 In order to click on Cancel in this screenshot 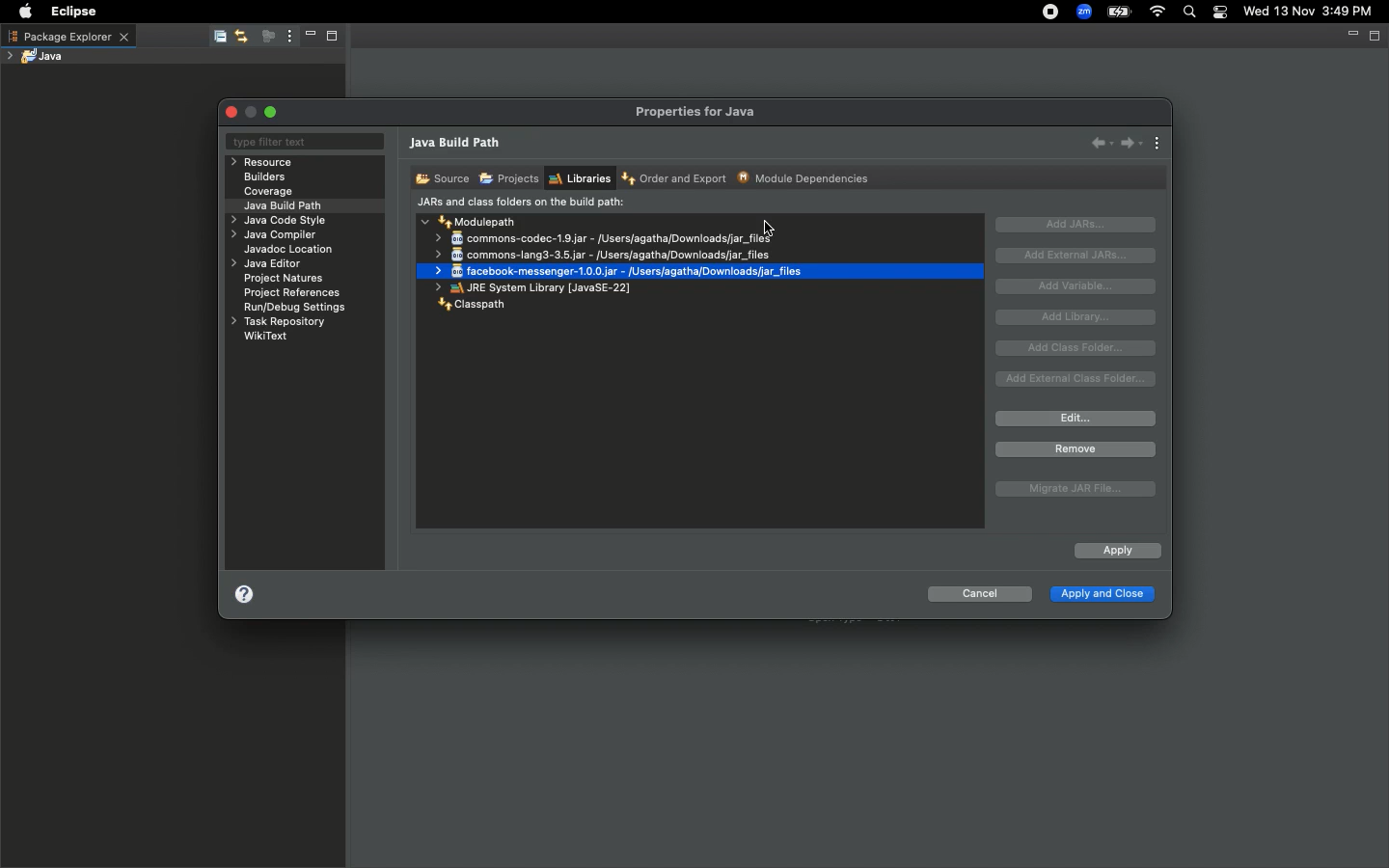, I will do `click(979, 597)`.